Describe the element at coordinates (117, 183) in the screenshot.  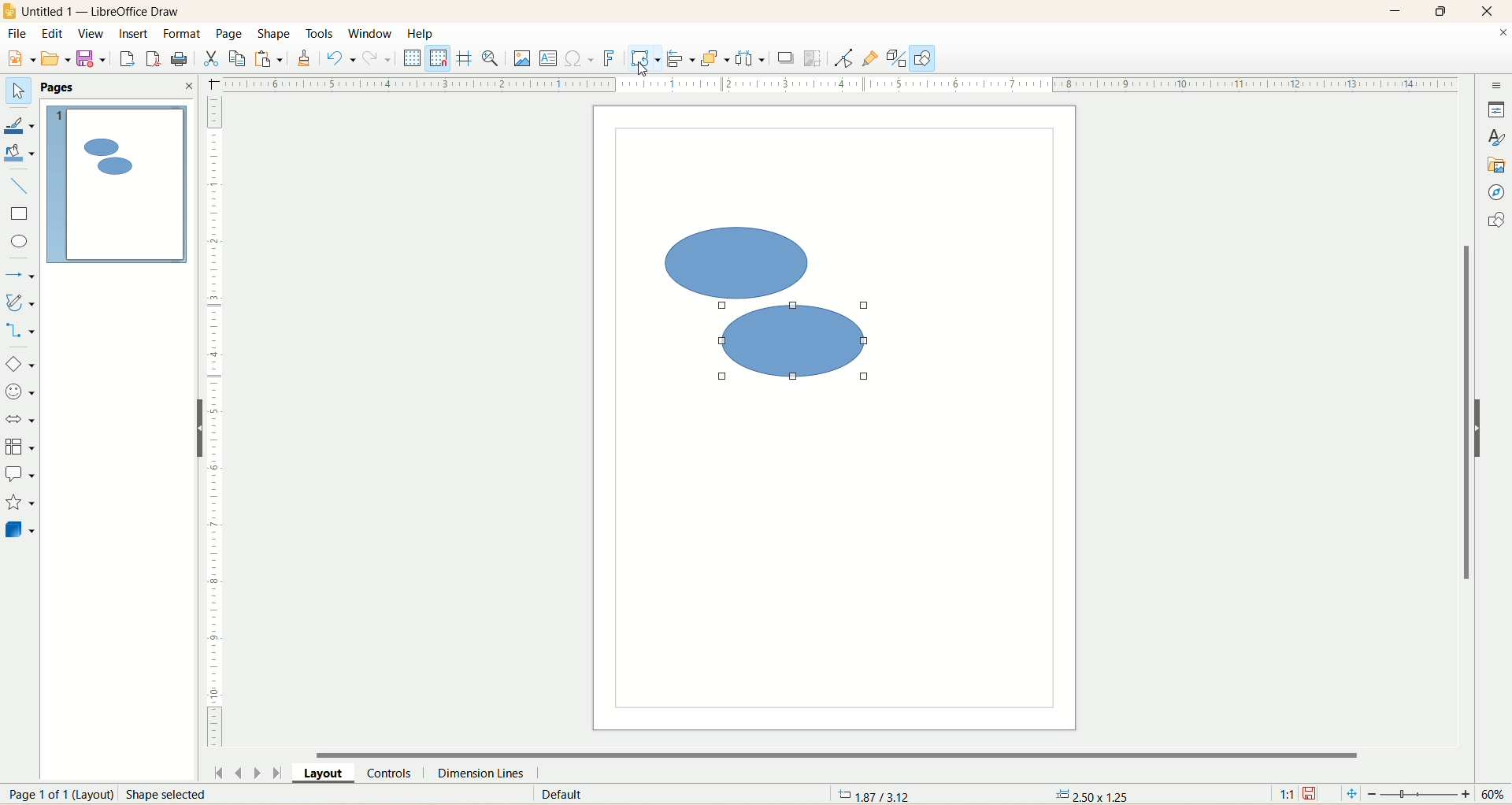
I see `page 1` at that location.